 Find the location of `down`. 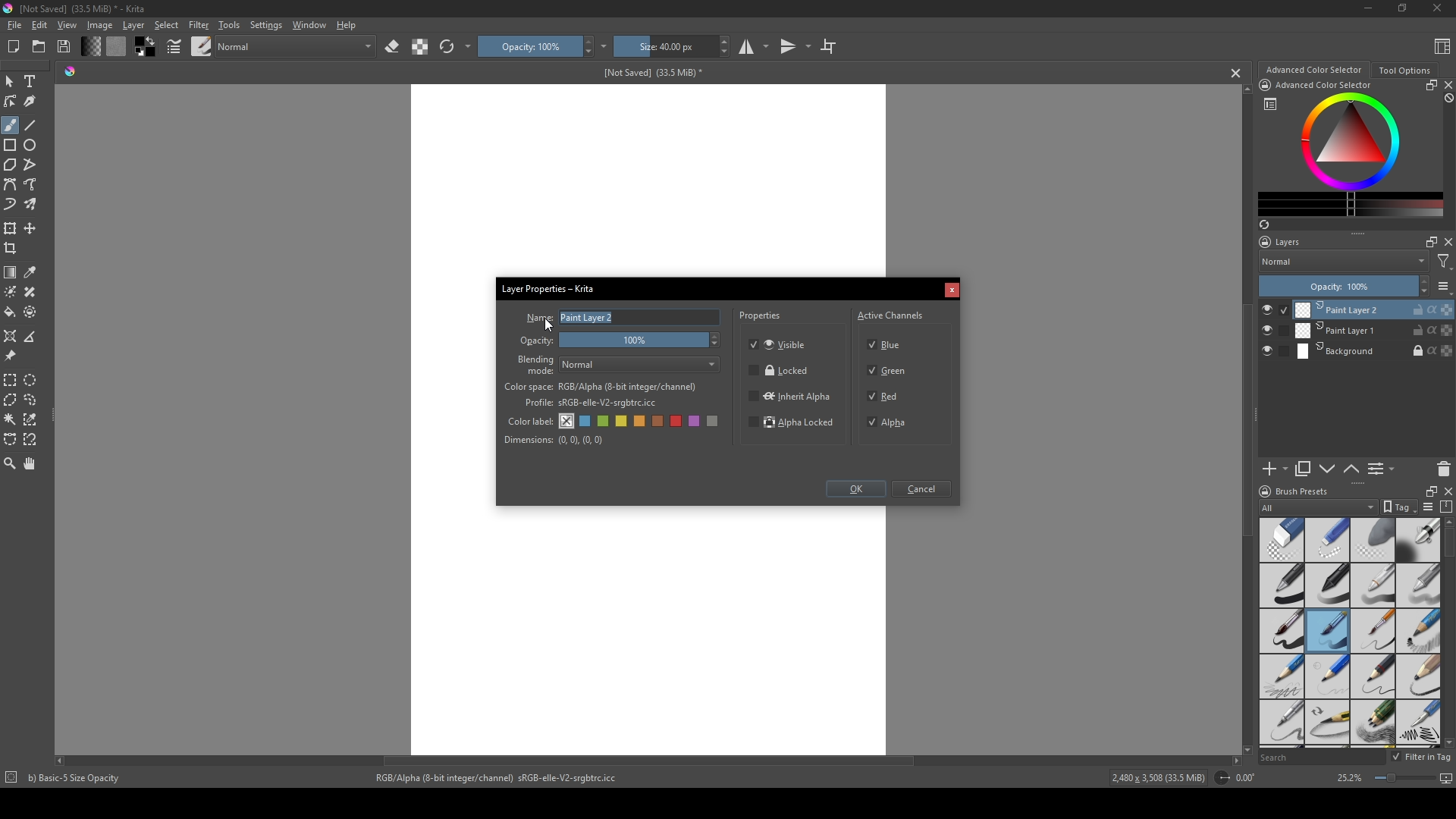

down is located at coordinates (1327, 469).